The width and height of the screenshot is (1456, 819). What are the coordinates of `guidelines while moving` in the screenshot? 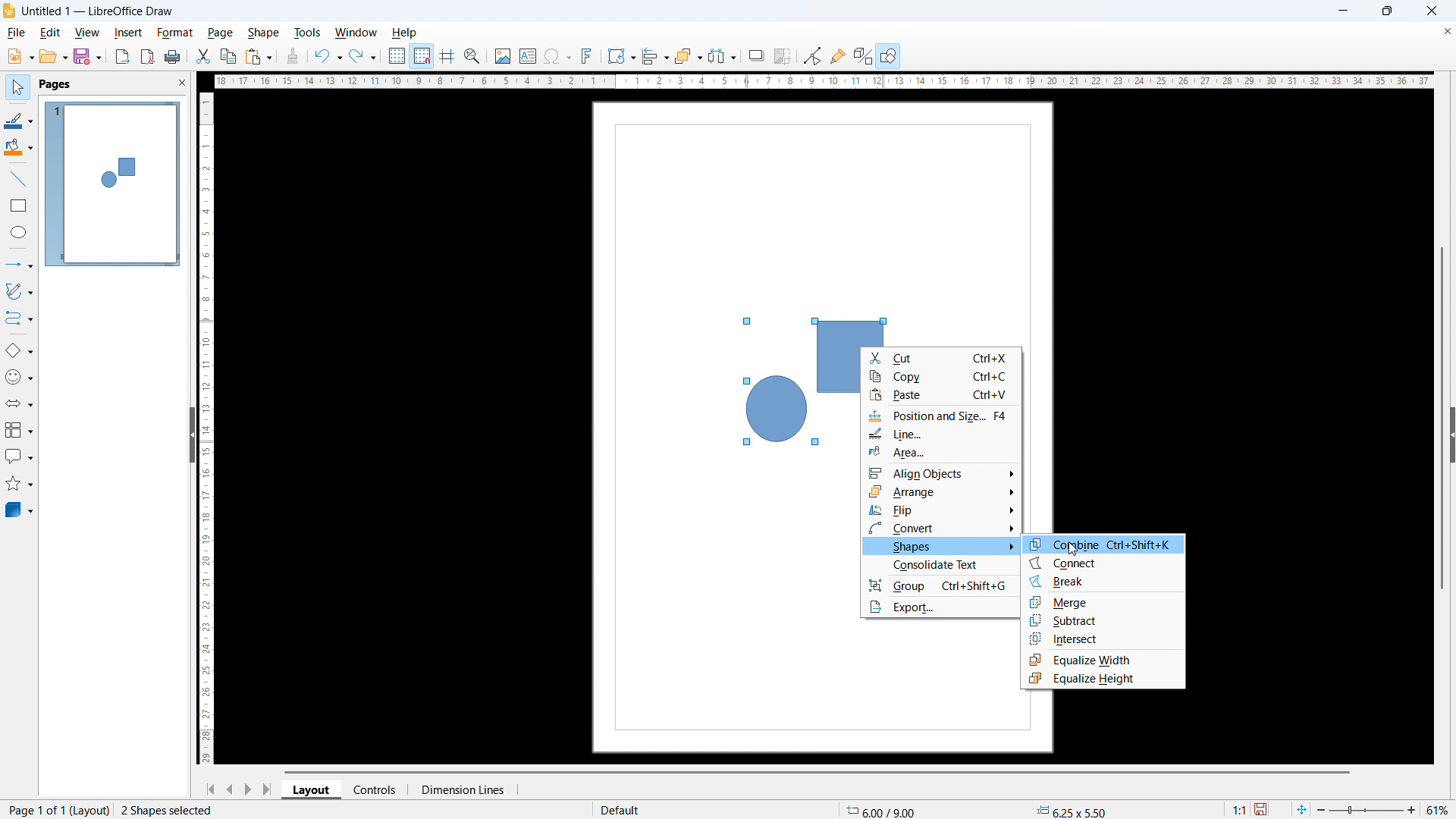 It's located at (448, 55).